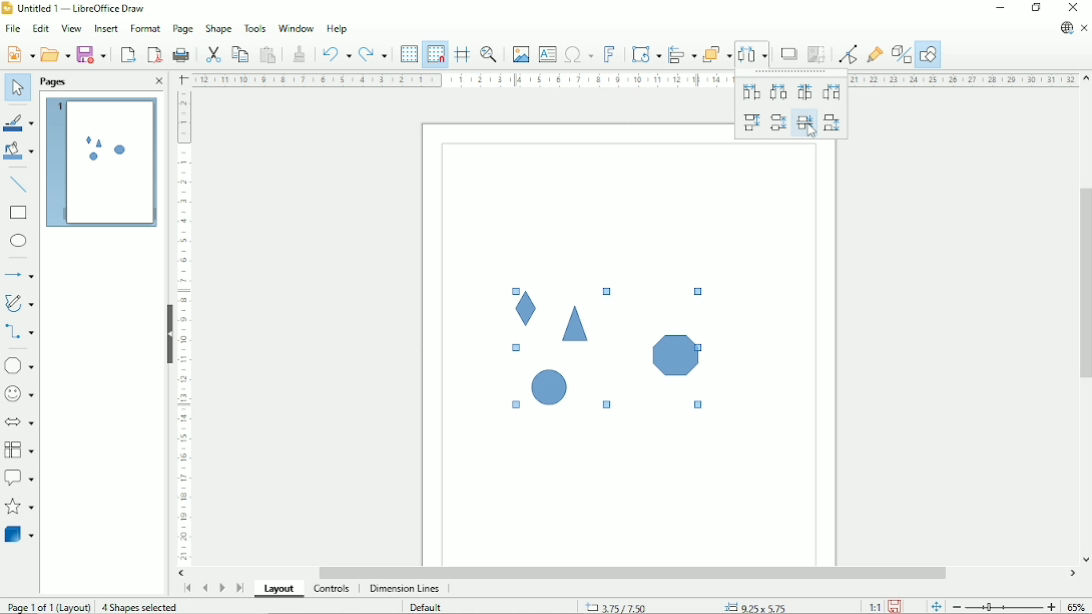 This screenshot has width=1092, height=614. What do you see at coordinates (92, 54) in the screenshot?
I see `Save` at bounding box center [92, 54].